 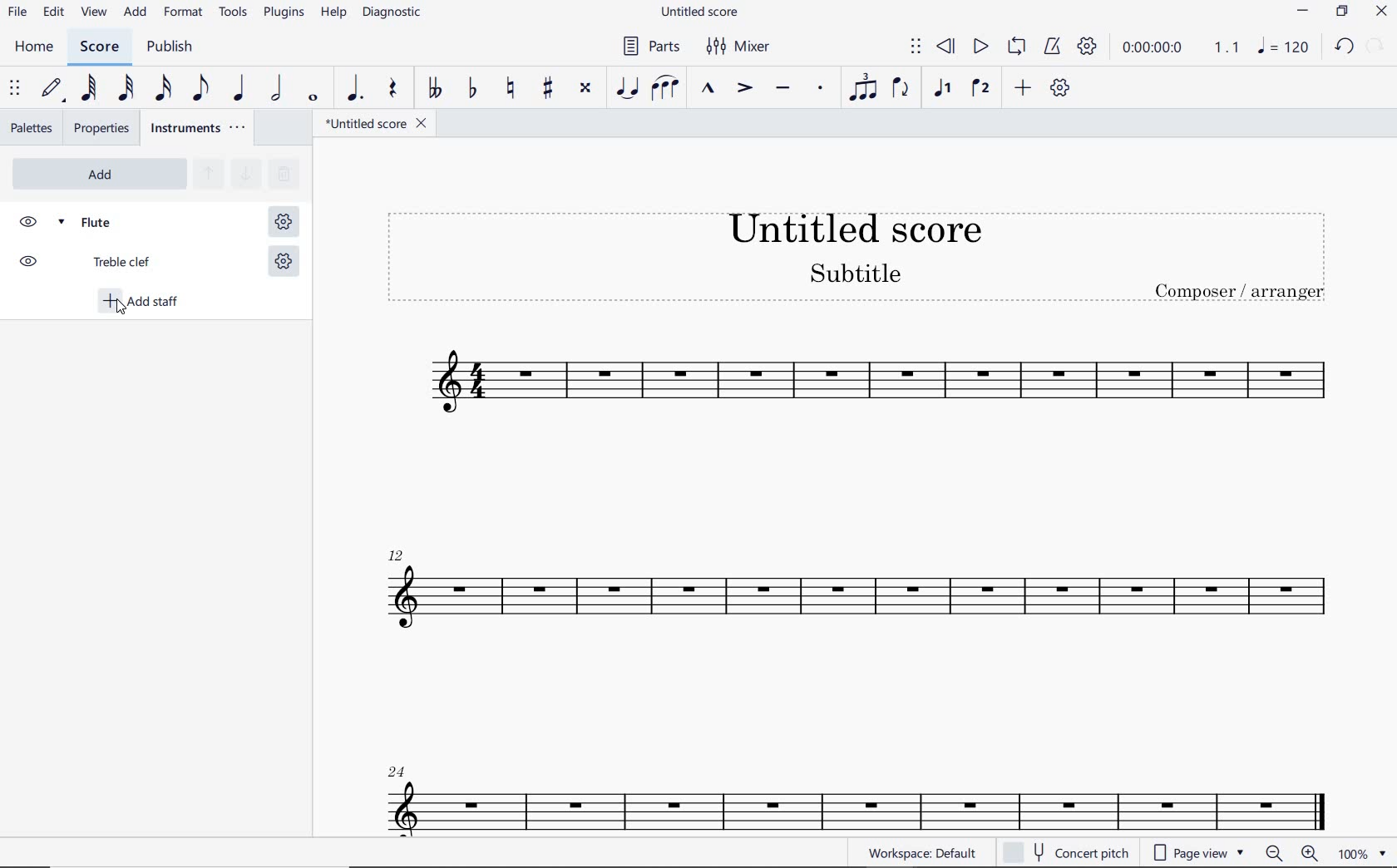 What do you see at coordinates (946, 47) in the screenshot?
I see `REWIND` at bounding box center [946, 47].